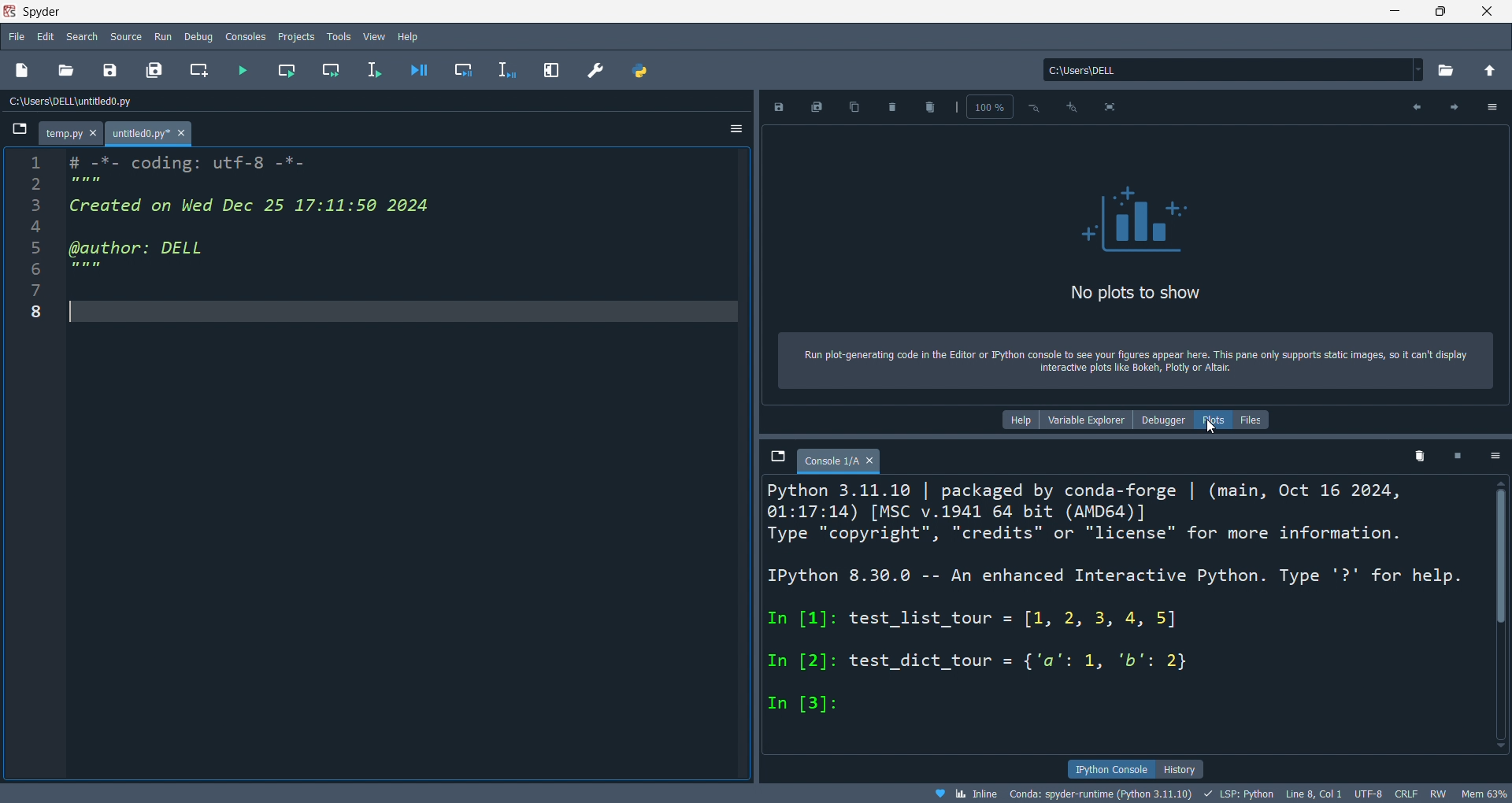 This screenshot has height=803, width=1512. I want to click on save all, so click(155, 71).